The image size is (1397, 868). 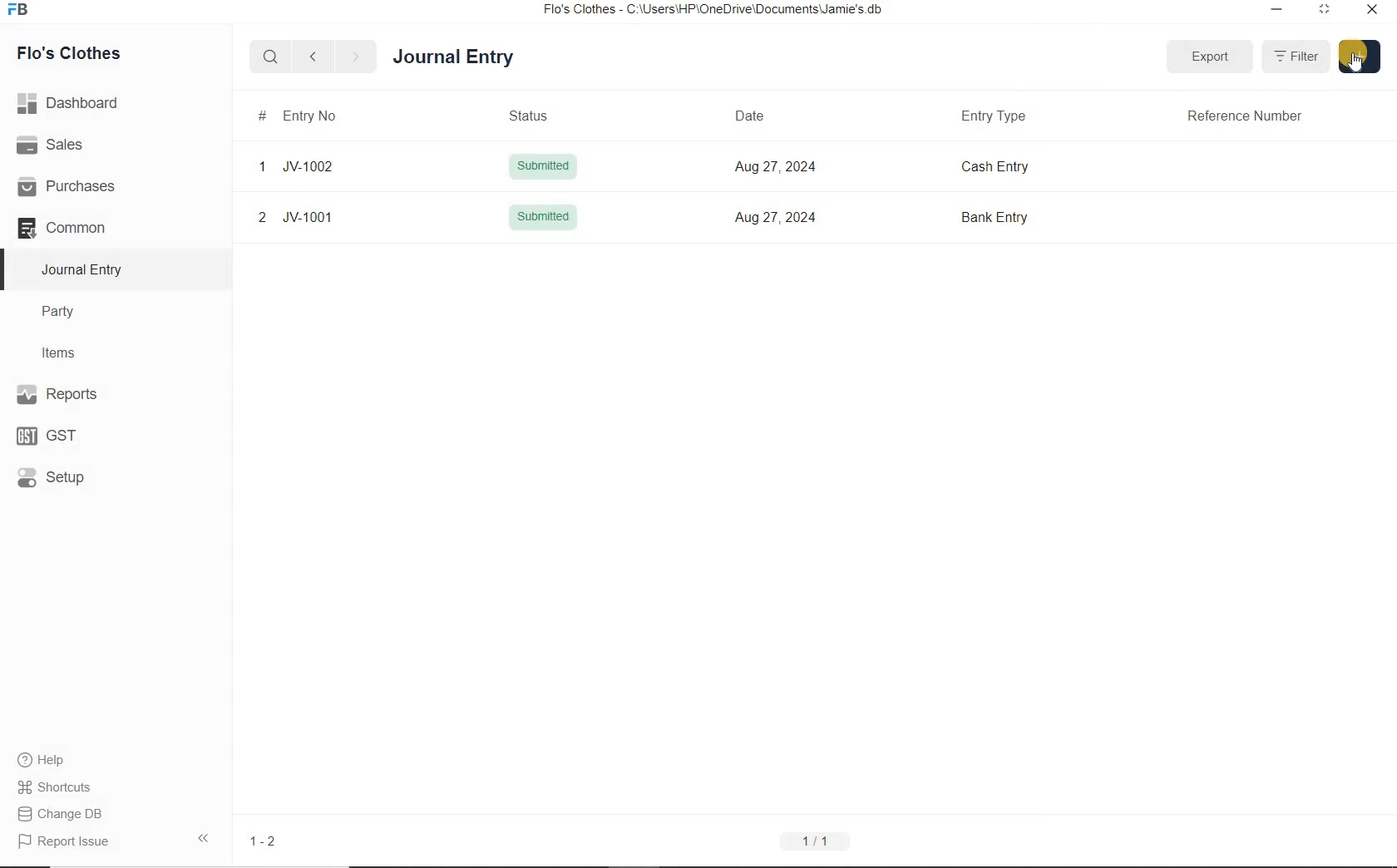 What do you see at coordinates (1275, 8) in the screenshot?
I see `minimize` at bounding box center [1275, 8].